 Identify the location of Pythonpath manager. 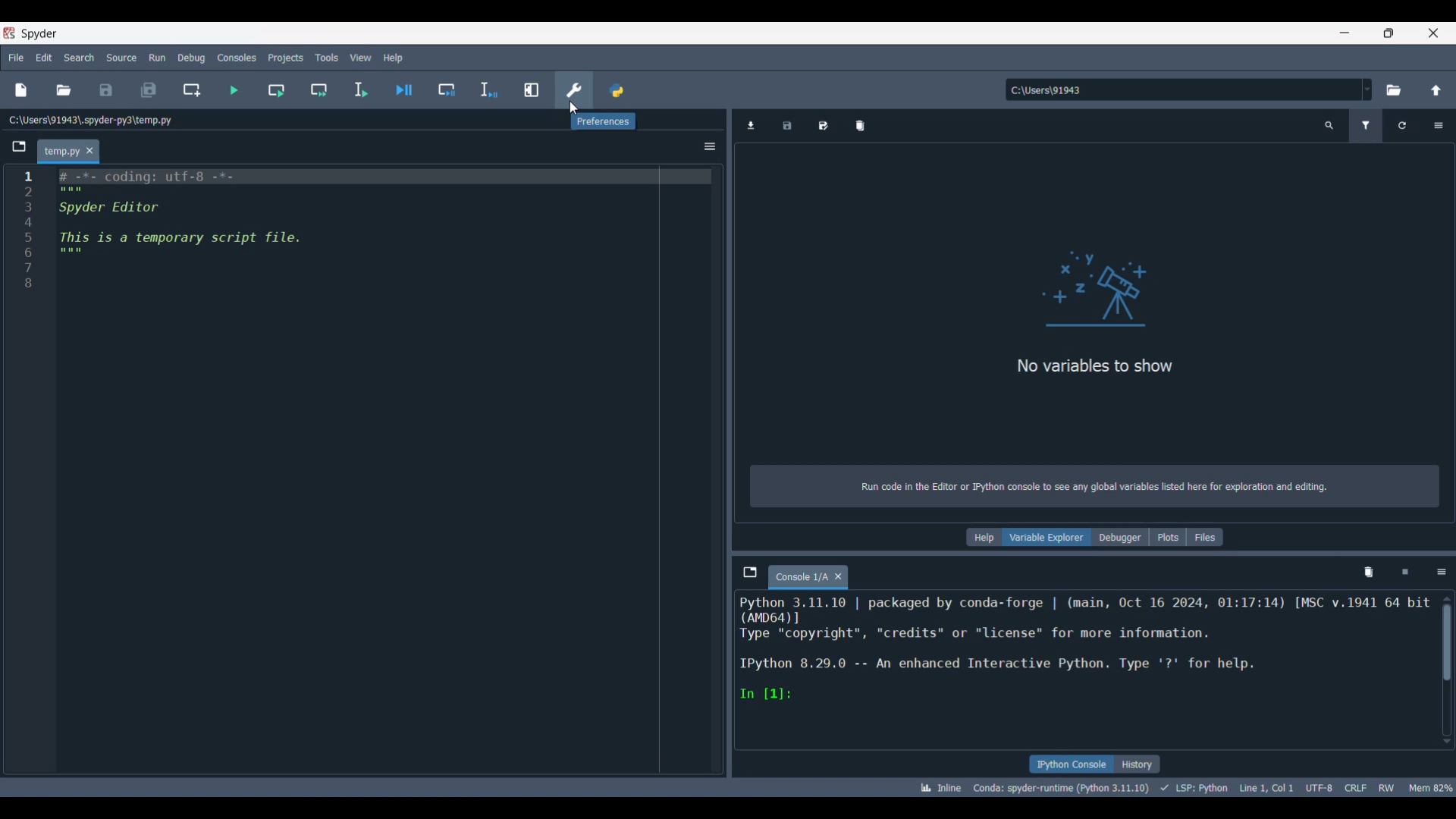
(616, 89).